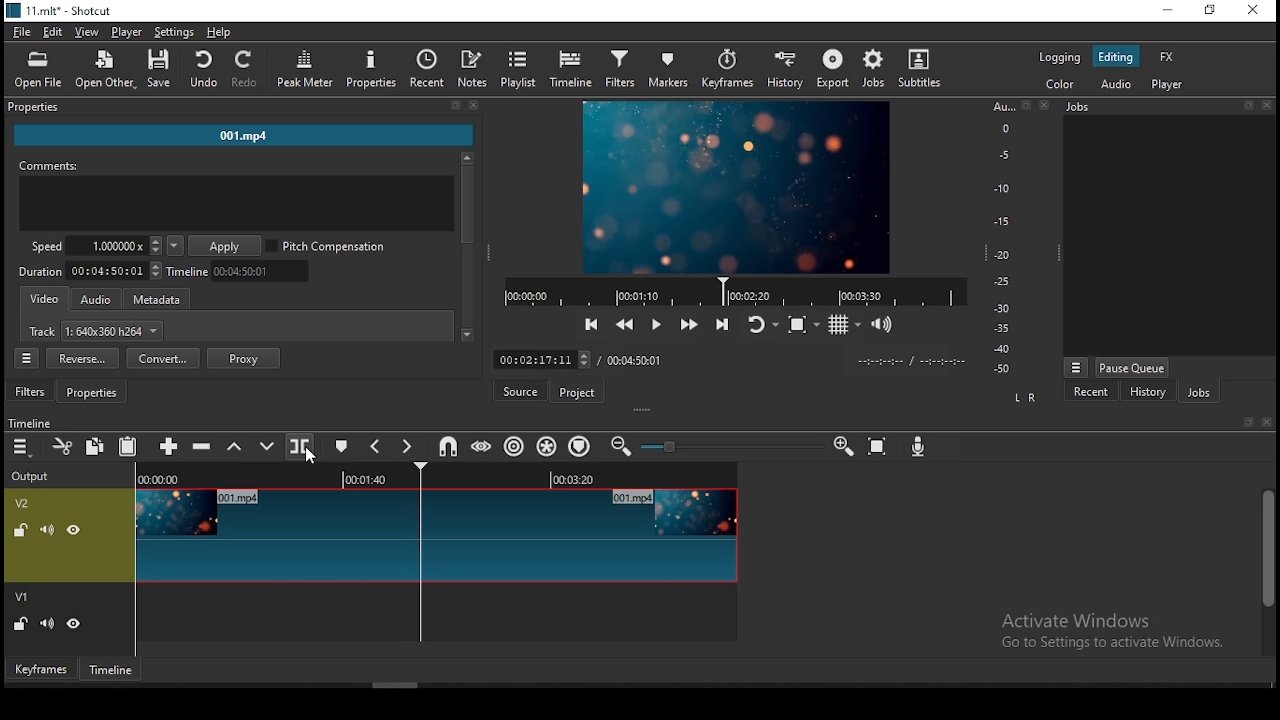  I want to click on show volume control, so click(883, 327).